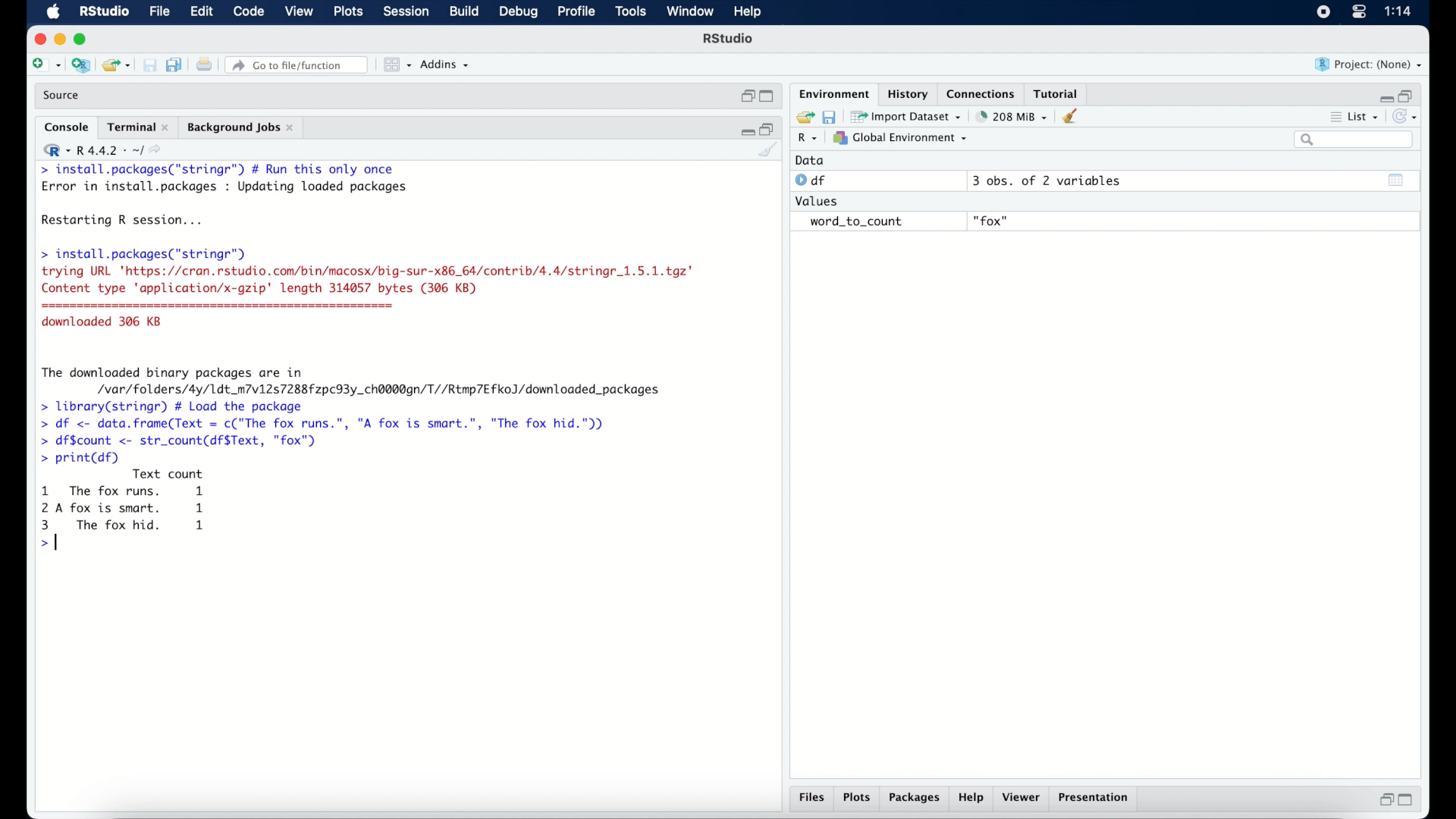 Image resolution: width=1456 pixels, height=819 pixels. What do you see at coordinates (204, 66) in the screenshot?
I see `print` at bounding box center [204, 66].